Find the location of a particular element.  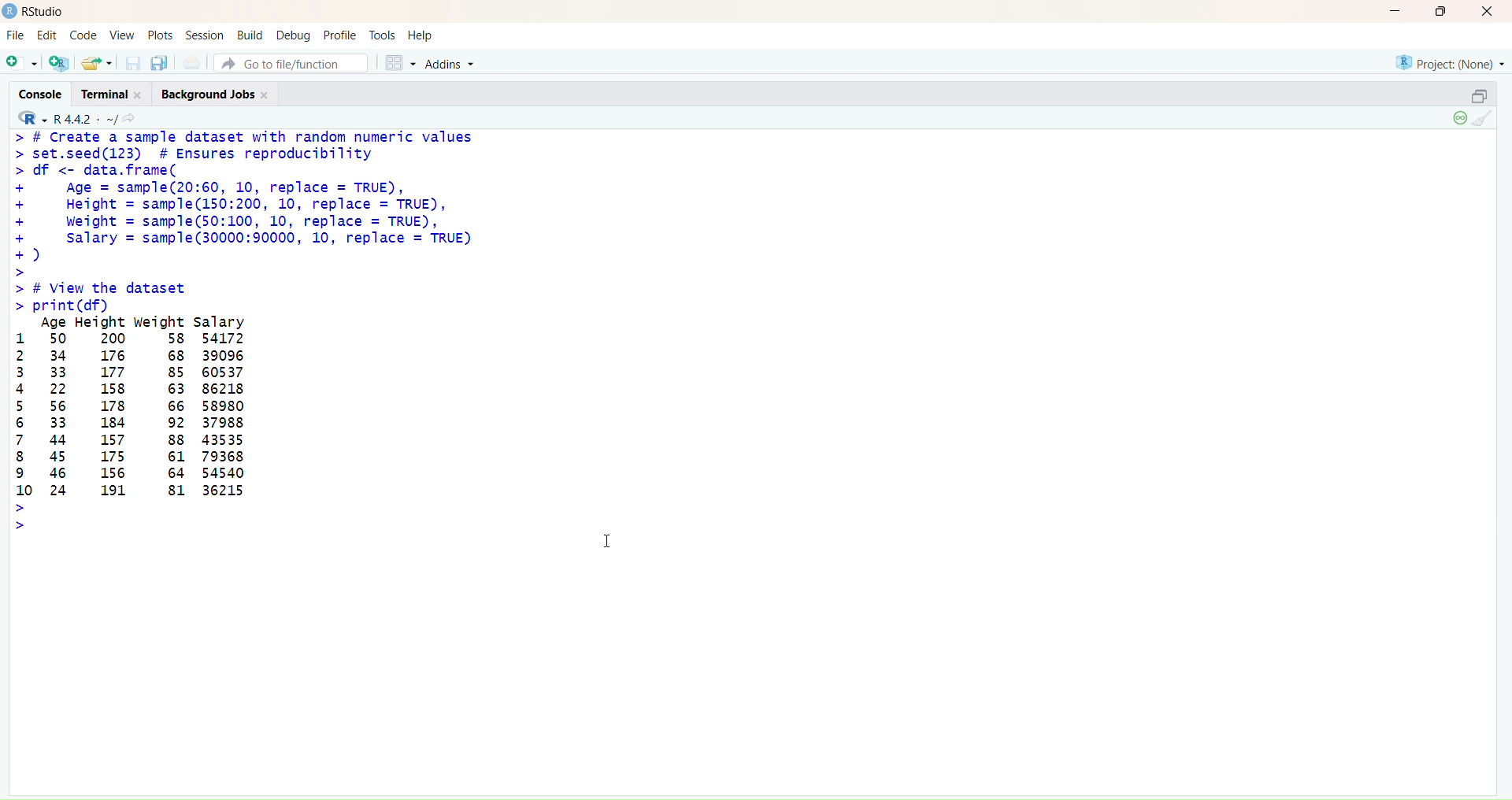

RStudio logo is located at coordinates (28, 117).